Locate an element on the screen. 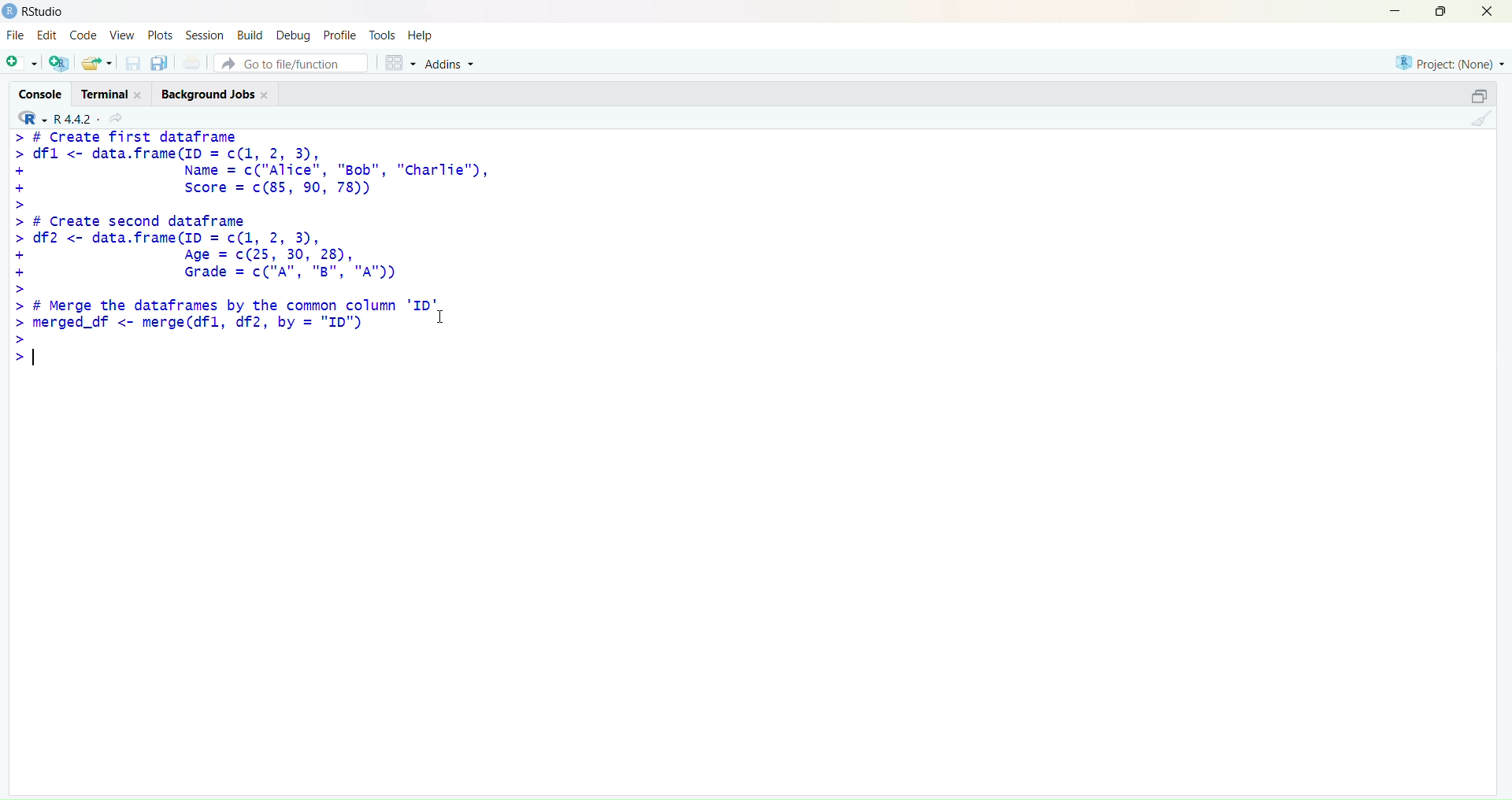  Plots is located at coordinates (159, 35).